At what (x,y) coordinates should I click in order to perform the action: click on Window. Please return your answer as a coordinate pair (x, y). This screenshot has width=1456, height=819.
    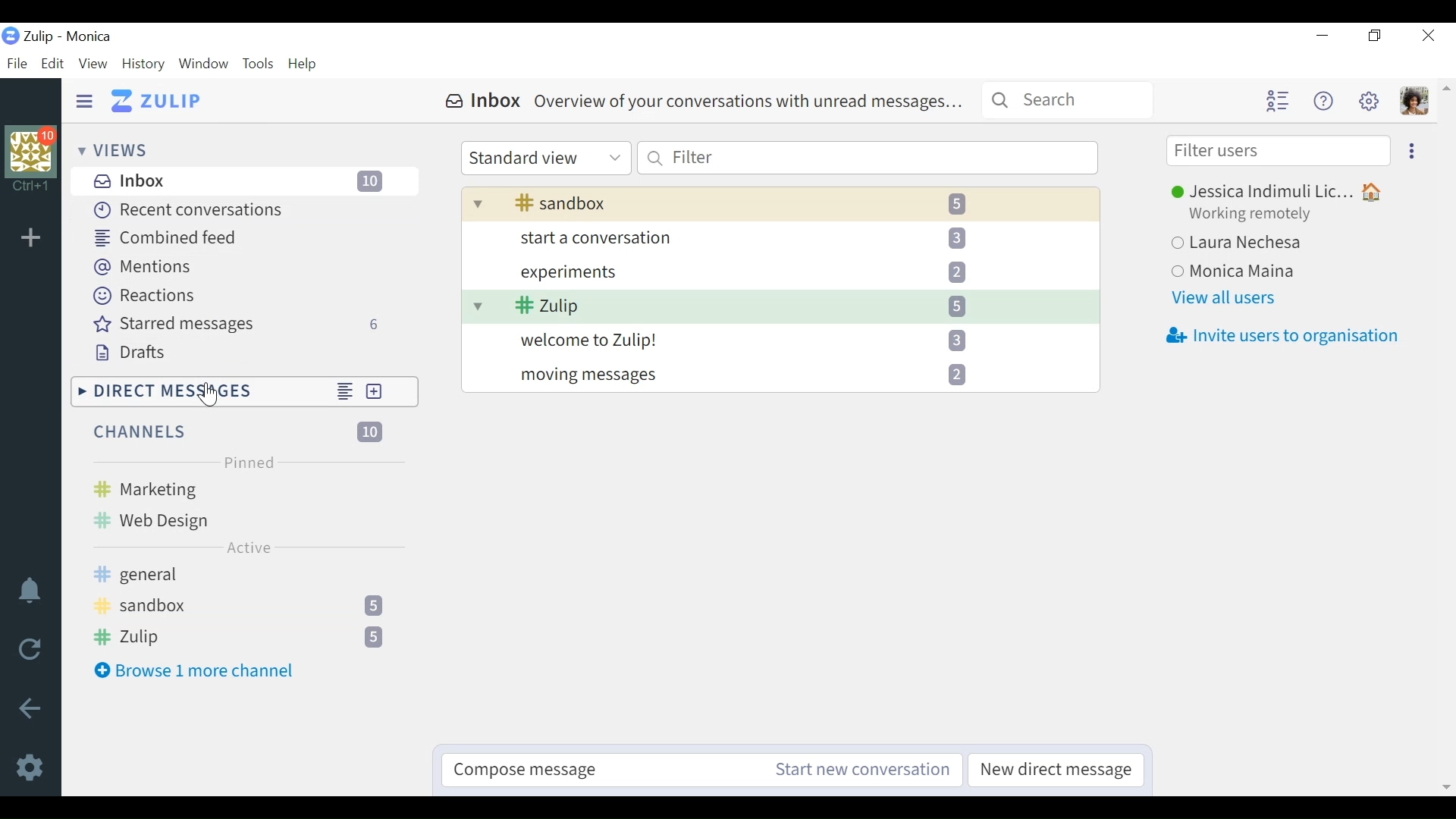
    Looking at the image, I should click on (204, 65).